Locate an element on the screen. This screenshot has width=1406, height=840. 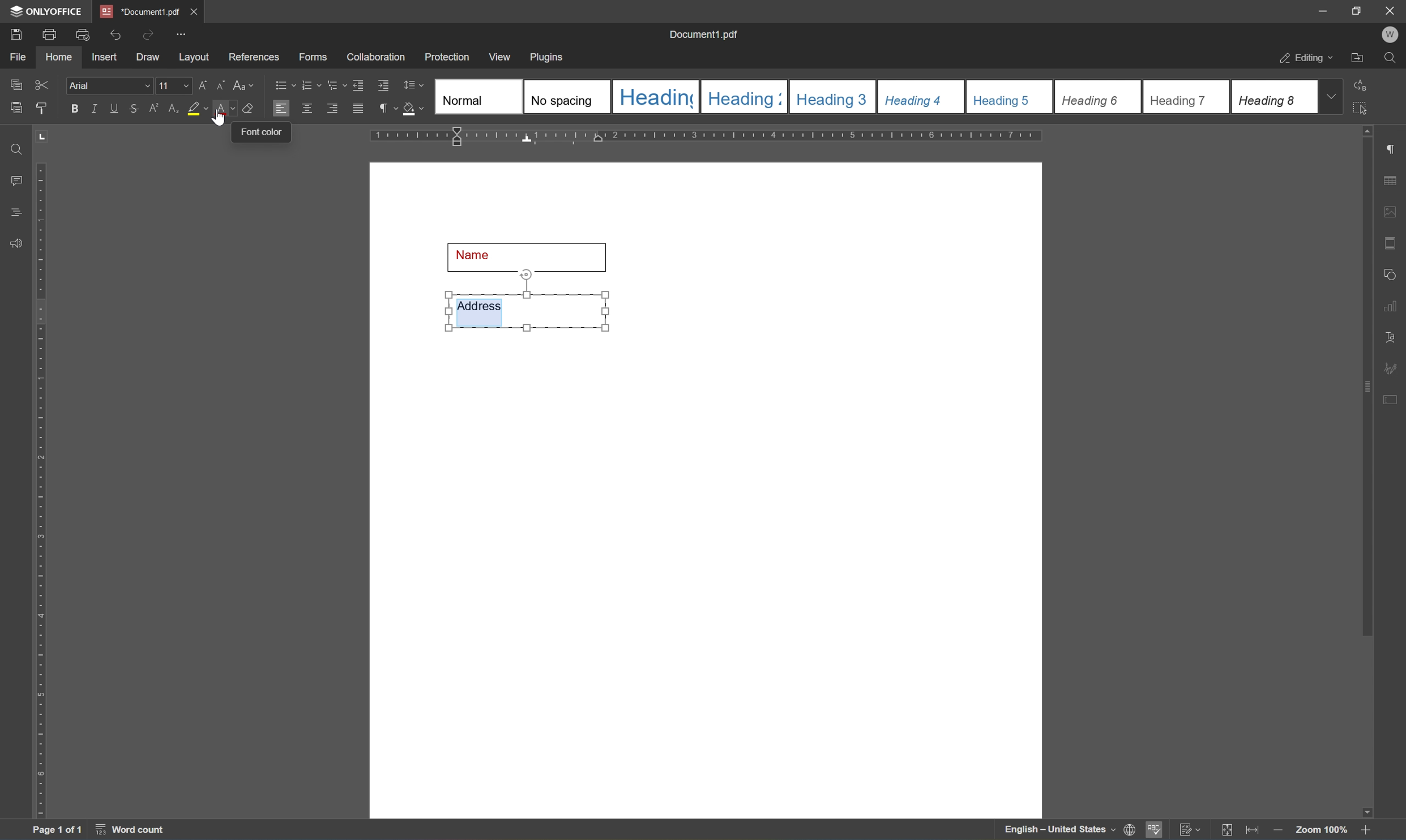
close is located at coordinates (1391, 11).